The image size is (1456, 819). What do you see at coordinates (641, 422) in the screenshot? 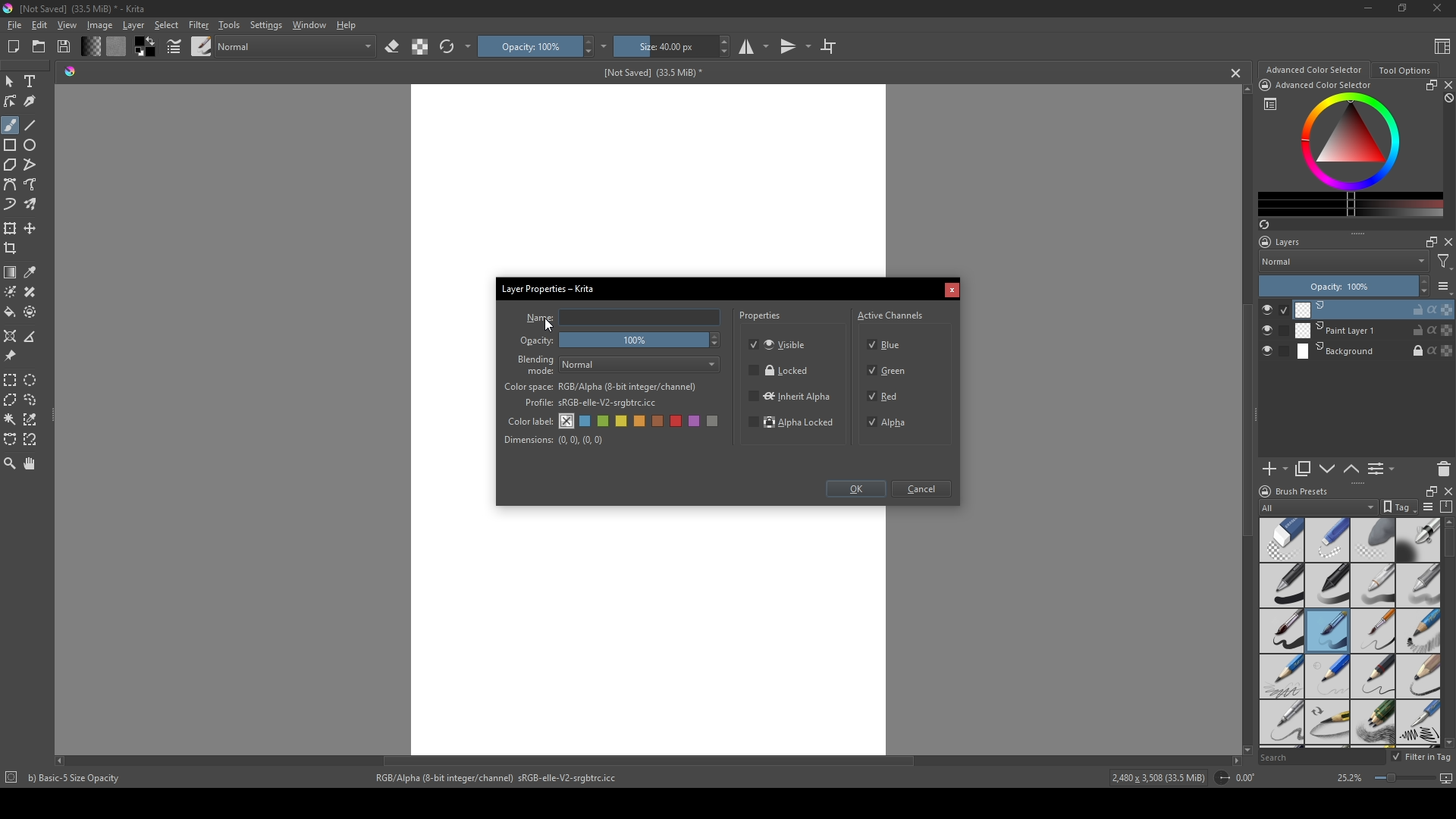
I see `yellow` at bounding box center [641, 422].